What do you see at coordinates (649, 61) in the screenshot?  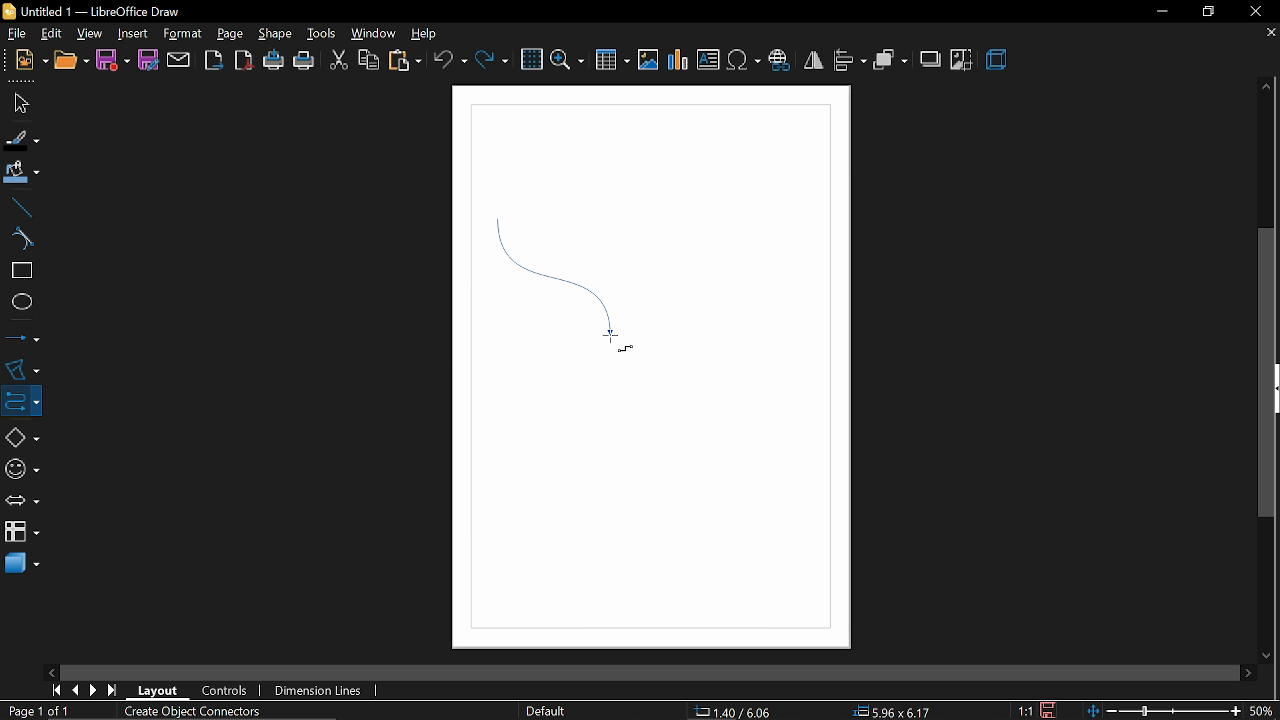 I see `Insert image` at bounding box center [649, 61].